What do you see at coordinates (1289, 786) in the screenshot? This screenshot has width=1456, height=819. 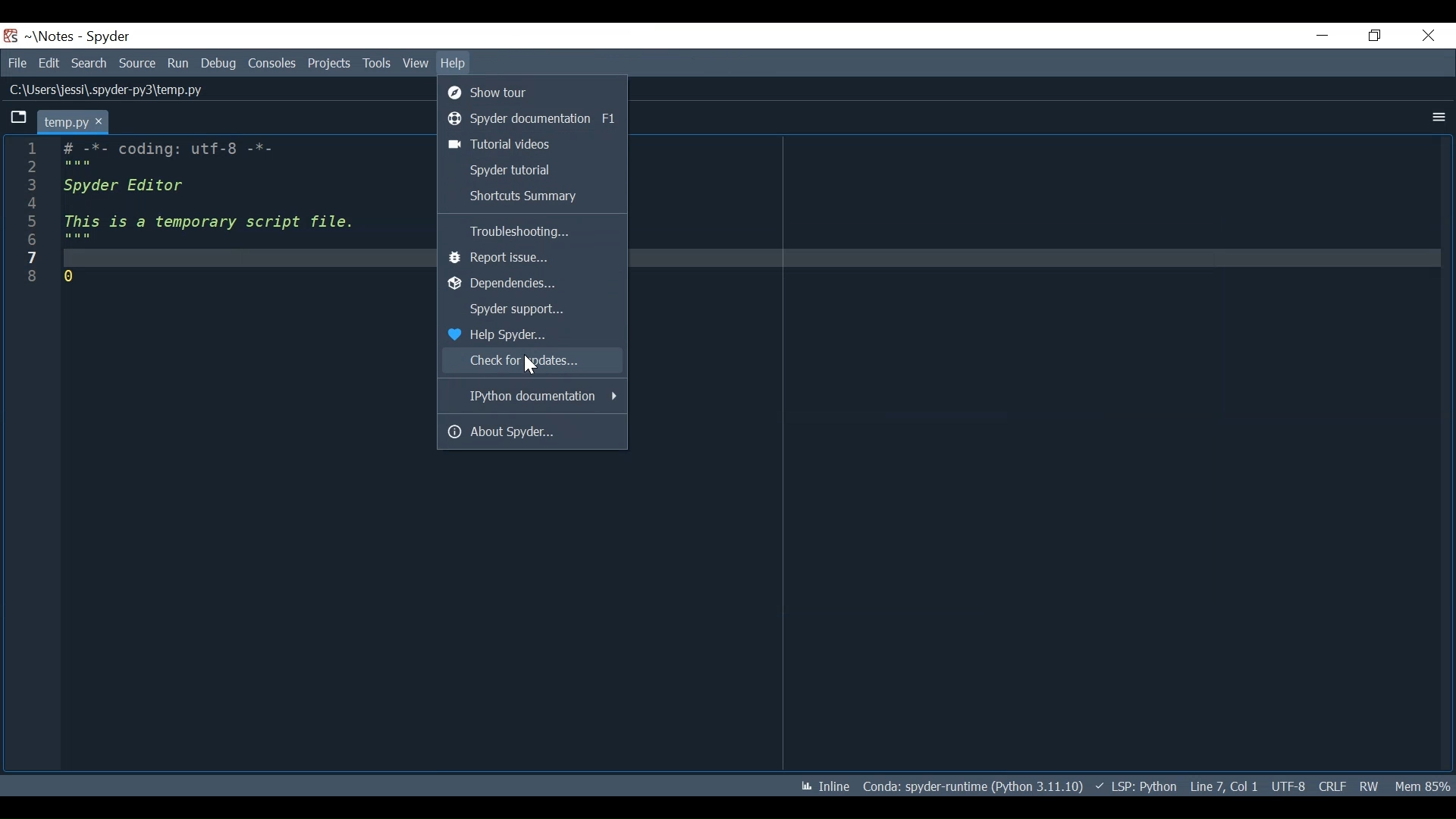 I see `UTF: 8` at bounding box center [1289, 786].